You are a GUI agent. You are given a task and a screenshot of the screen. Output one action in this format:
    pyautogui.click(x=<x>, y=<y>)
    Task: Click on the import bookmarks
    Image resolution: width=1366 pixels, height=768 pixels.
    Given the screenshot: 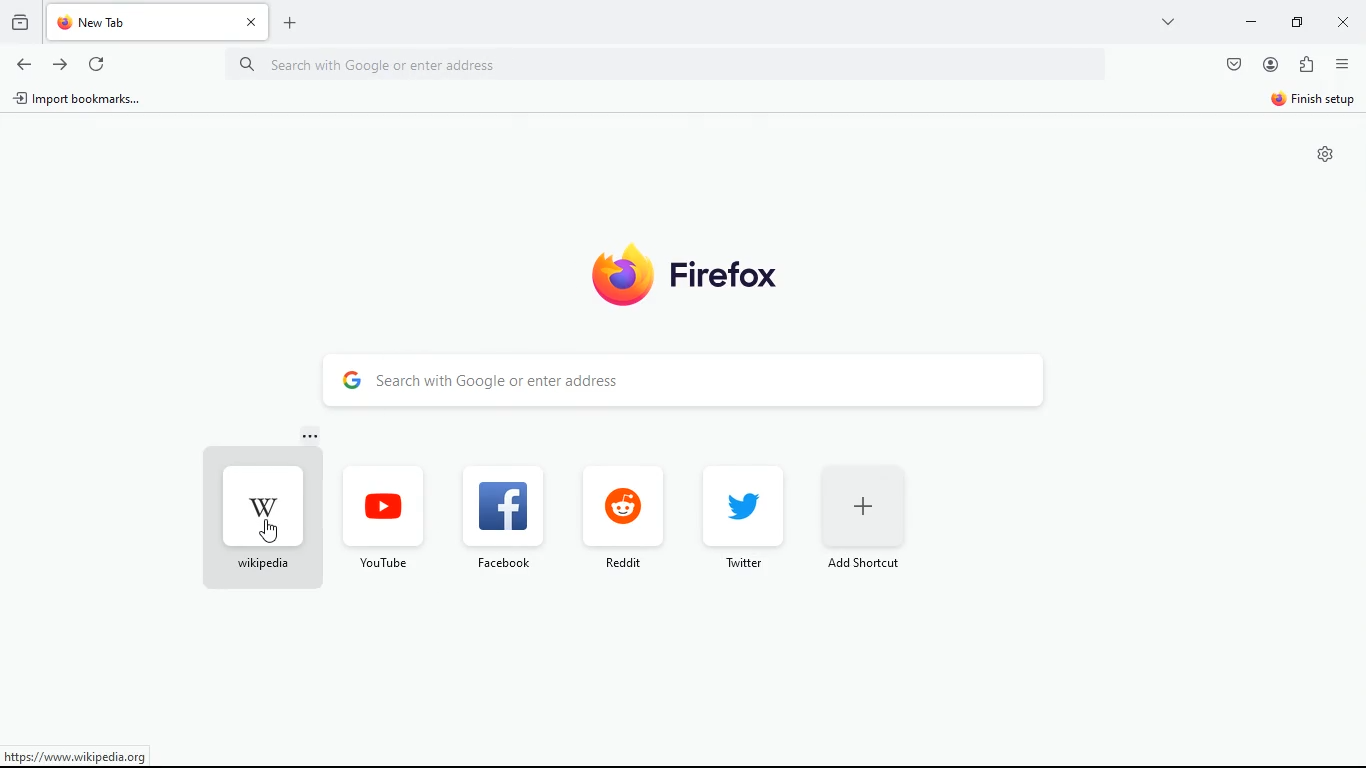 What is the action you would take?
    pyautogui.click(x=78, y=101)
    